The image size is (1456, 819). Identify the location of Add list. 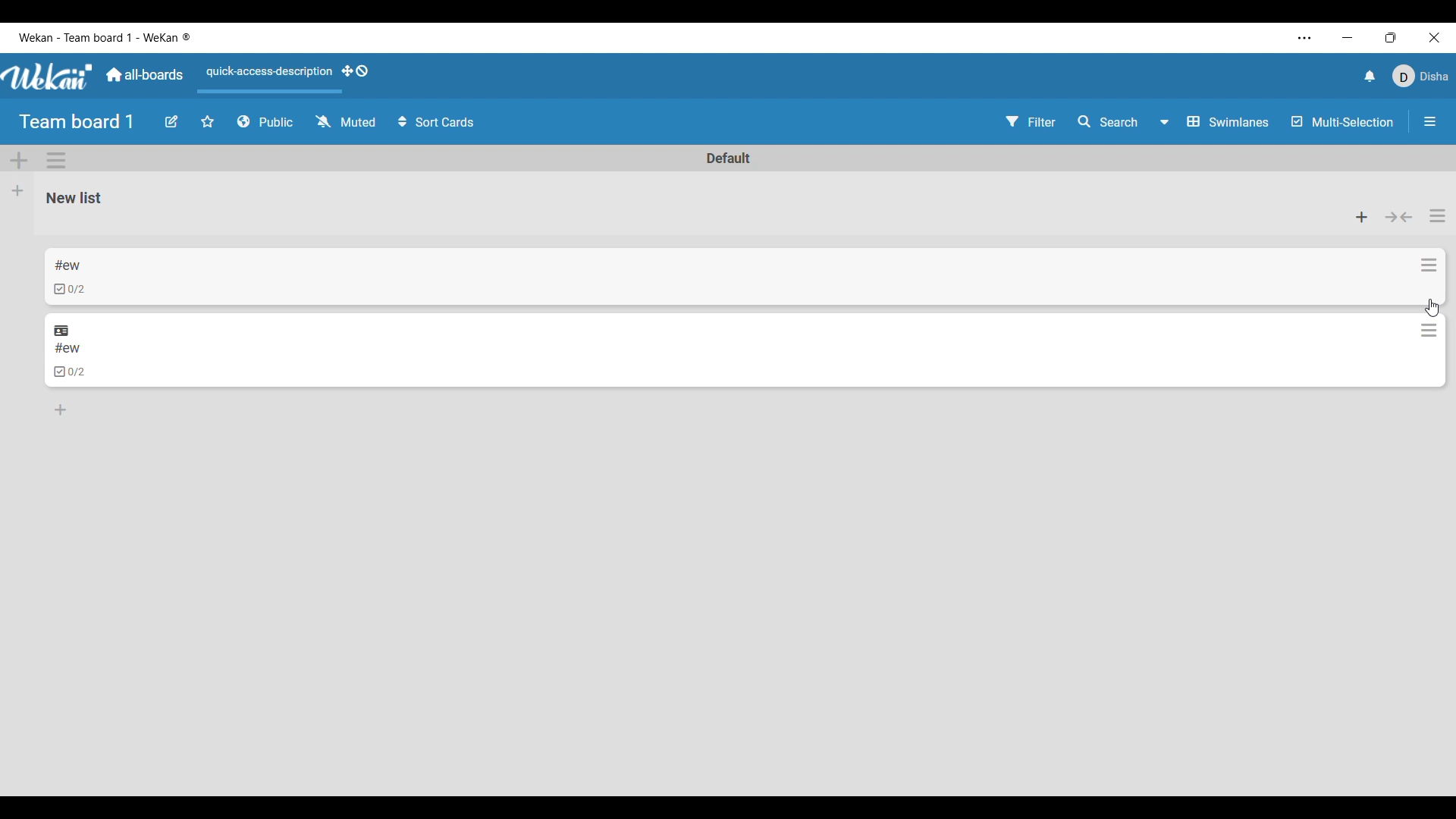
(18, 191).